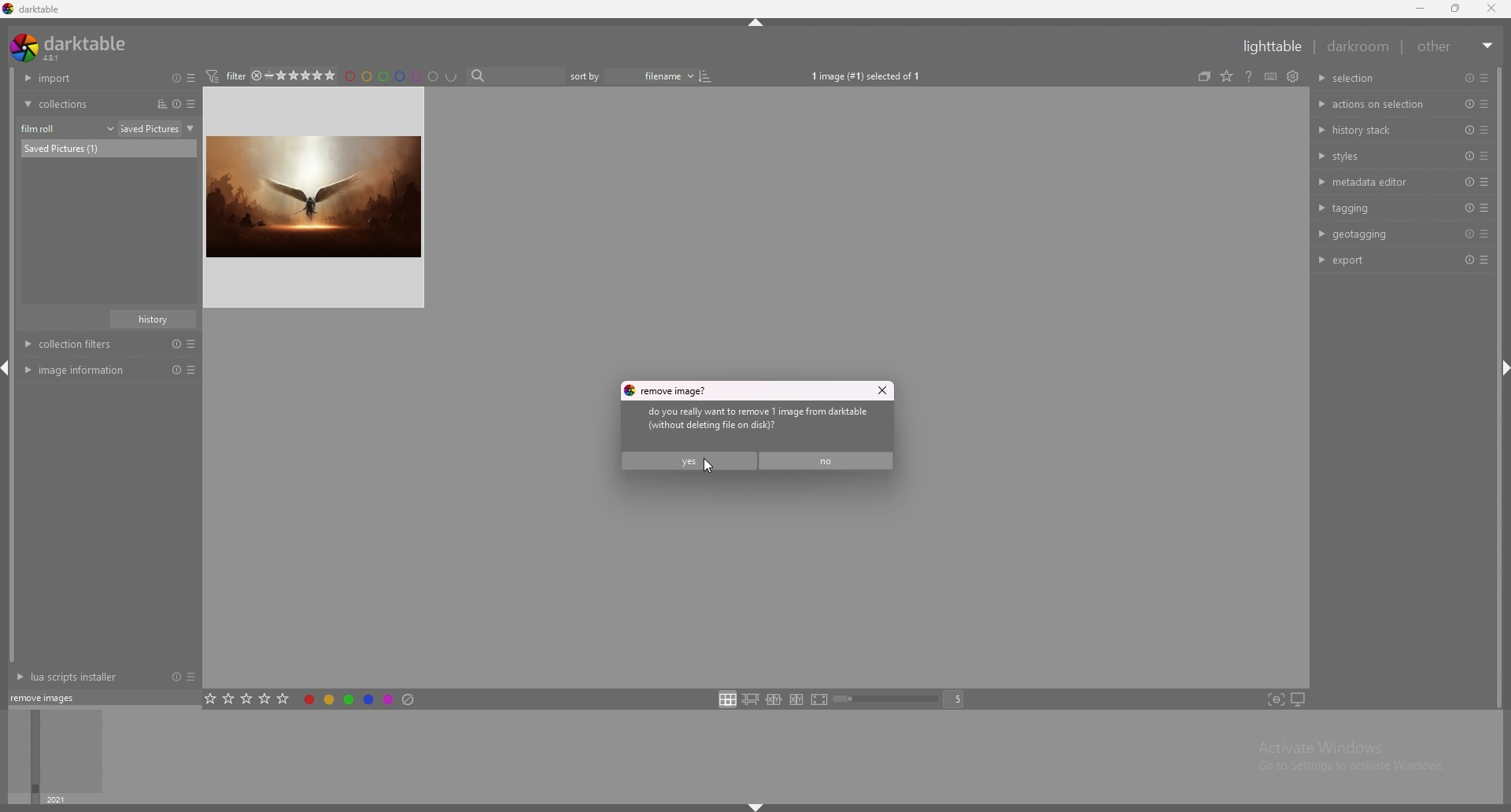 This screenshot has height=812, width=1511. What do you see at coordinates (1374, 105) in the screenshot?
I see `actions on selection` at bounding box center [1374, 105].